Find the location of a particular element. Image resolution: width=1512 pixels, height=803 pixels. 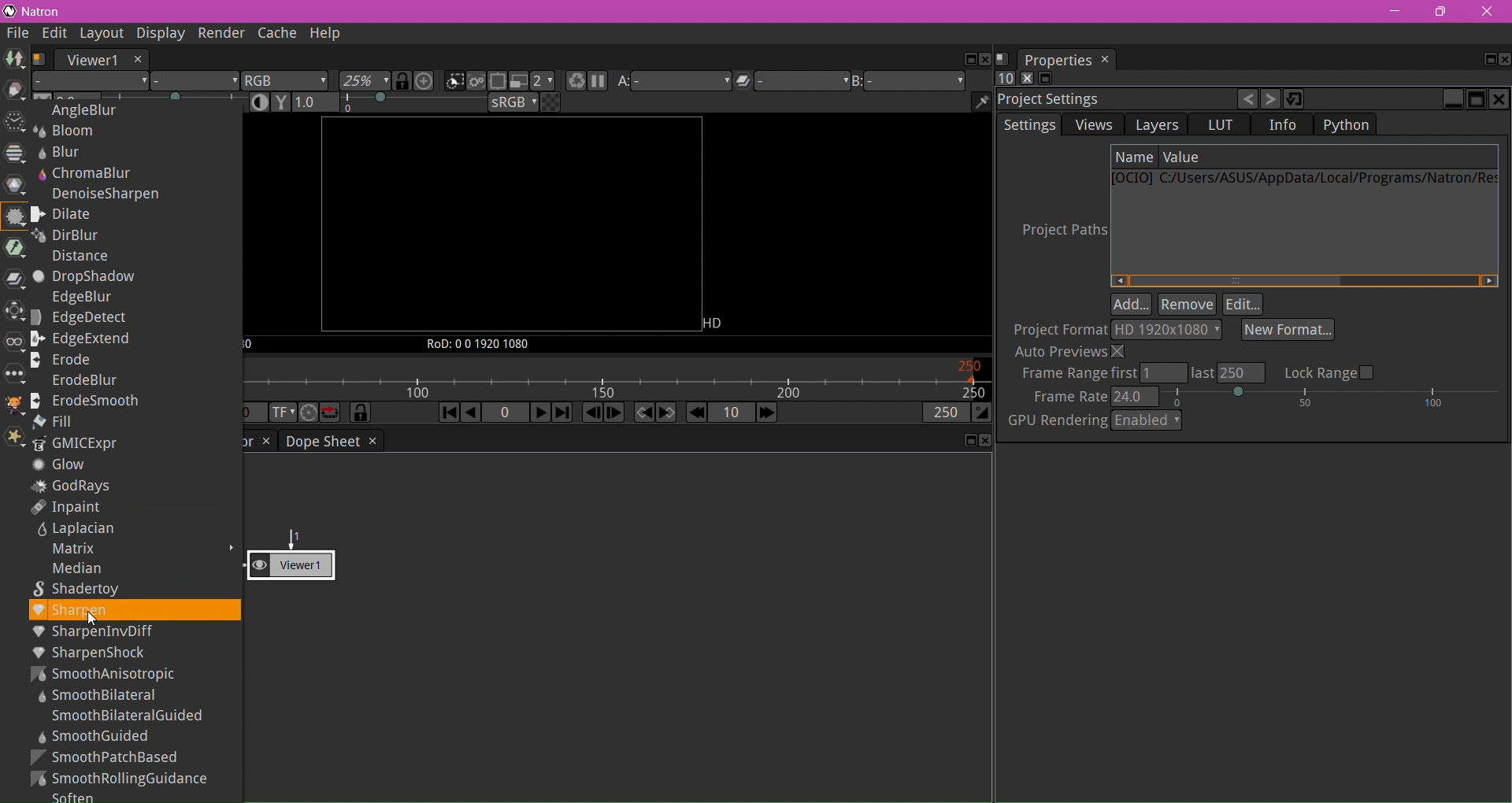

Close Tab is located at coordinates (1106, 59).